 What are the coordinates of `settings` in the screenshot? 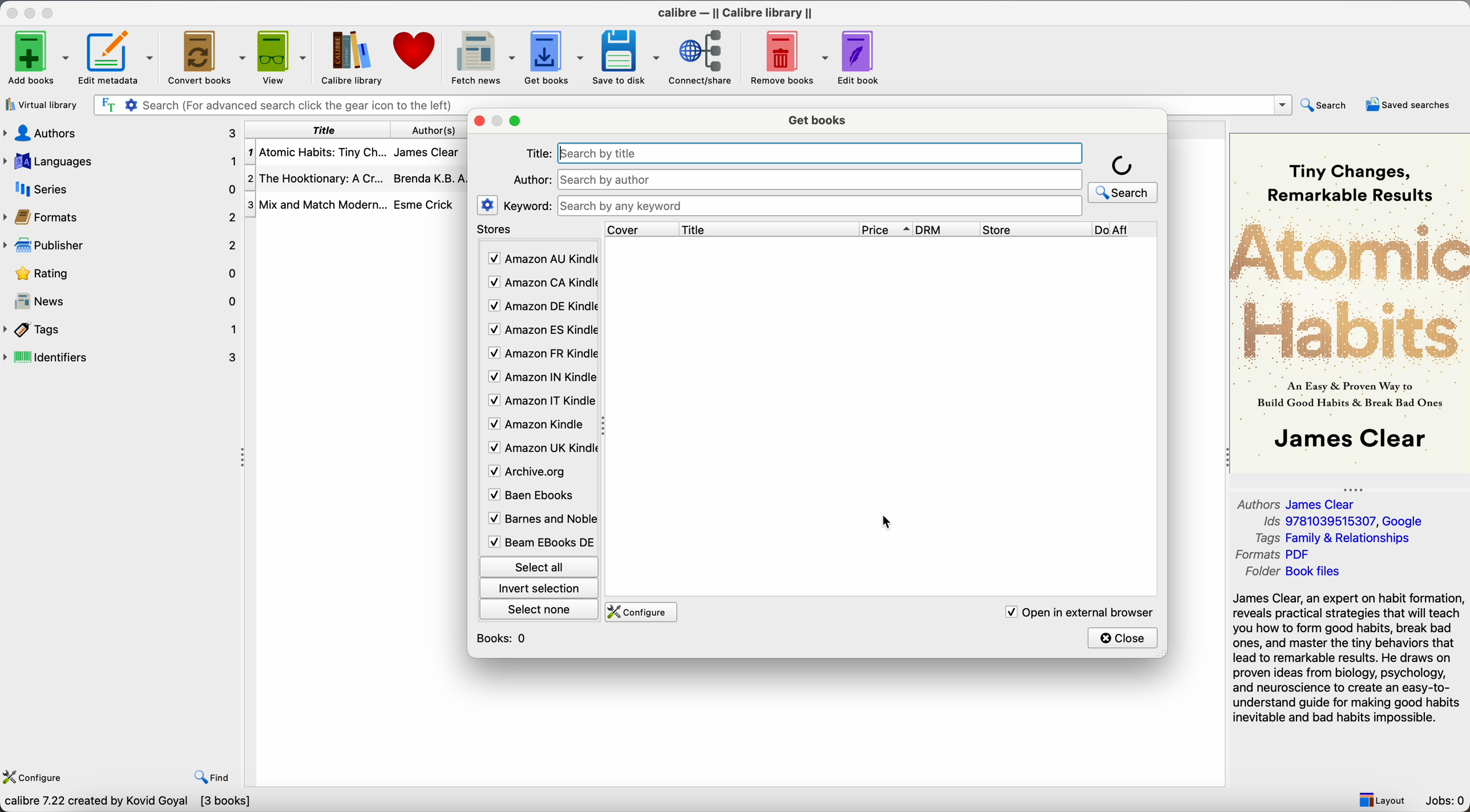 It's located at (487, 205).